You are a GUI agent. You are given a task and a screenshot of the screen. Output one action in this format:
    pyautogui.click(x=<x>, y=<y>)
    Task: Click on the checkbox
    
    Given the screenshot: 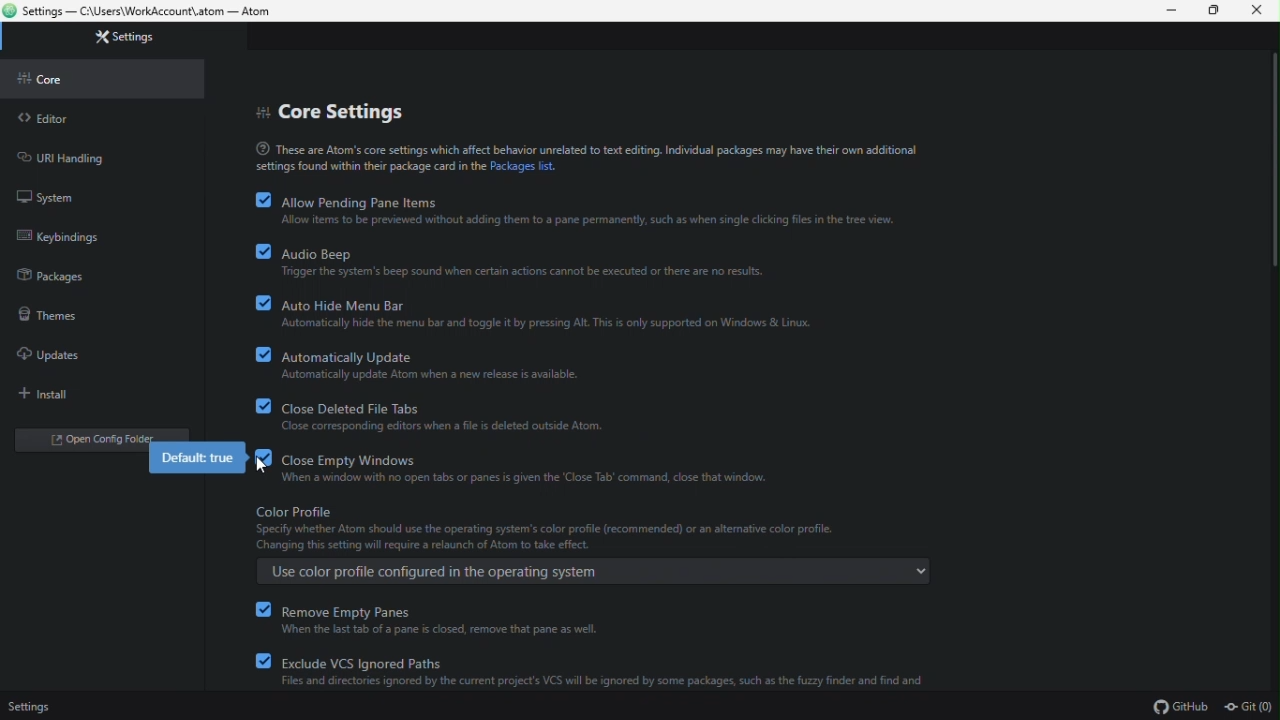 What is the action you would take?
    pyautogui.click(x=265, y=639)
    